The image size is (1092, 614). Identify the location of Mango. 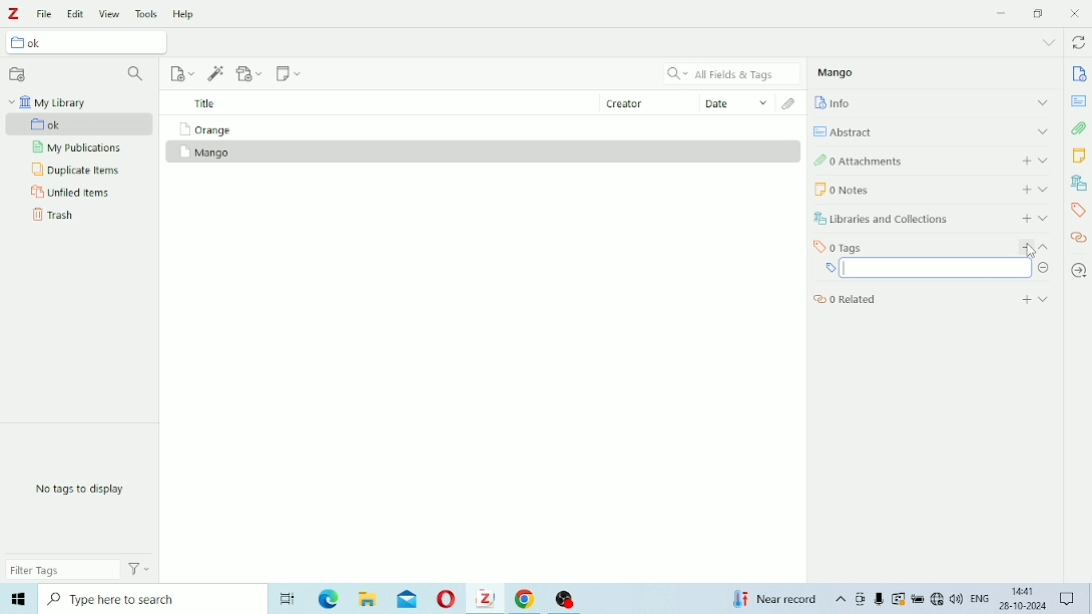
(205, 153).